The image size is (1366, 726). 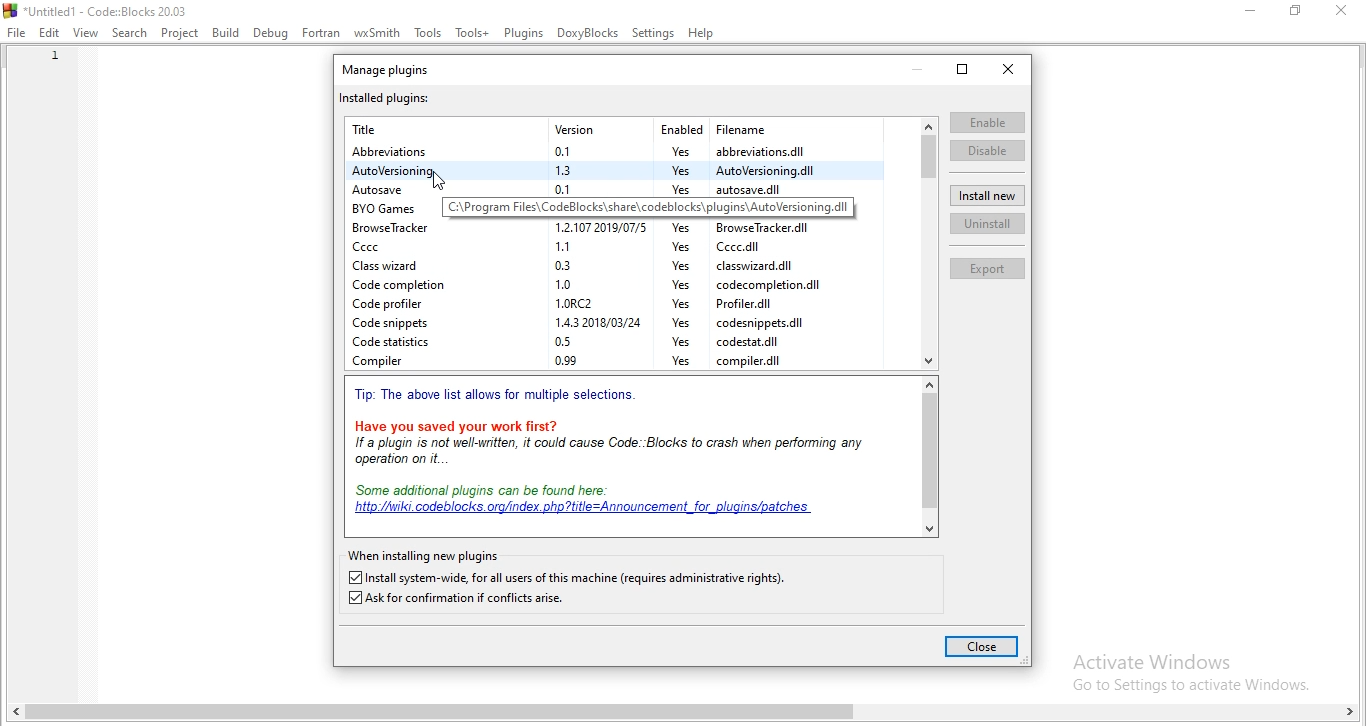 What do you see at coordinates (457, 600) in the screenshot?
I see `ask for confirmation if conflicts arise` at bounding box center [457, 600].